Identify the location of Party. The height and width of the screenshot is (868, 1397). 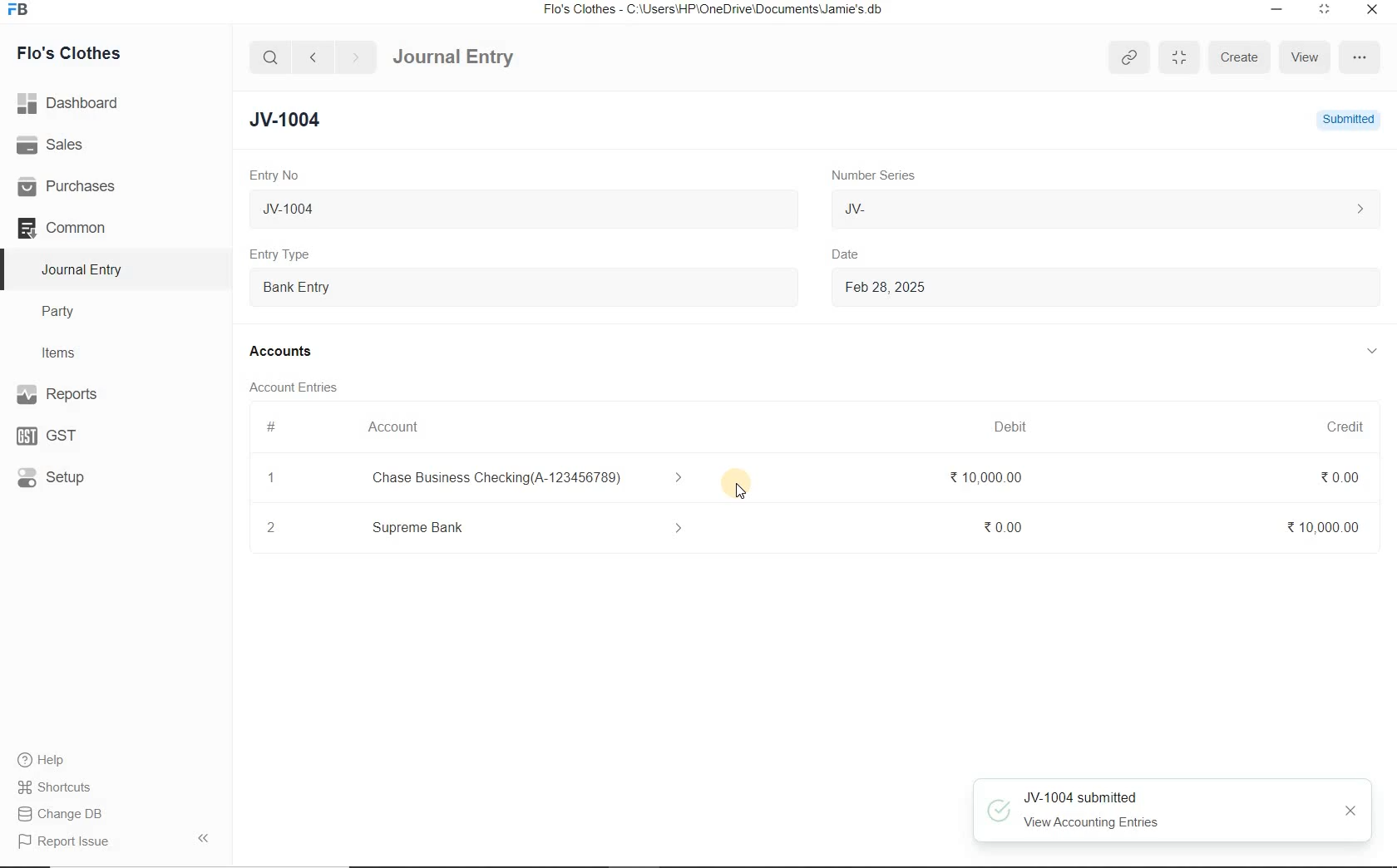
(70, 312).